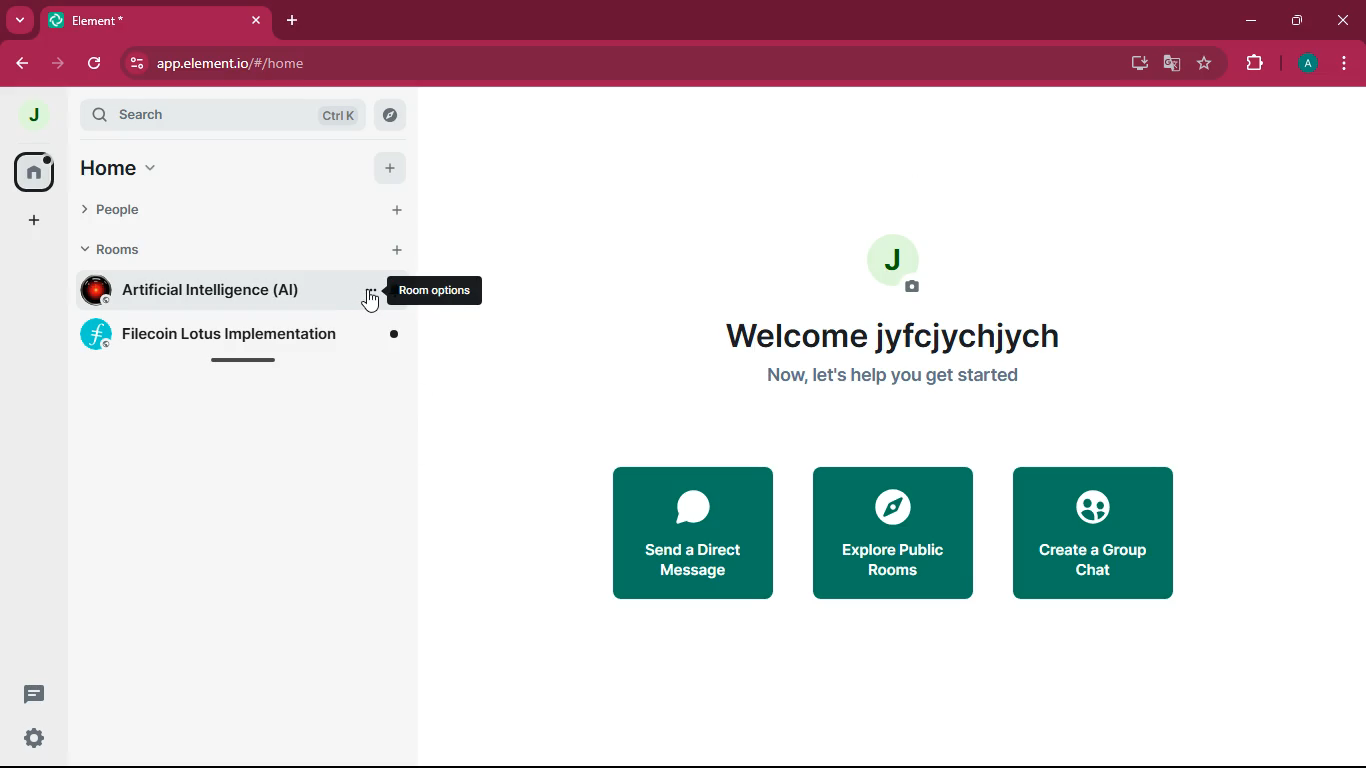 Image resolution: width=1366 pixels, height=768 pixels. What do you see at coordinates (396, 210) in the screenshot?
I see `add people` at bounding box center [396, 210].